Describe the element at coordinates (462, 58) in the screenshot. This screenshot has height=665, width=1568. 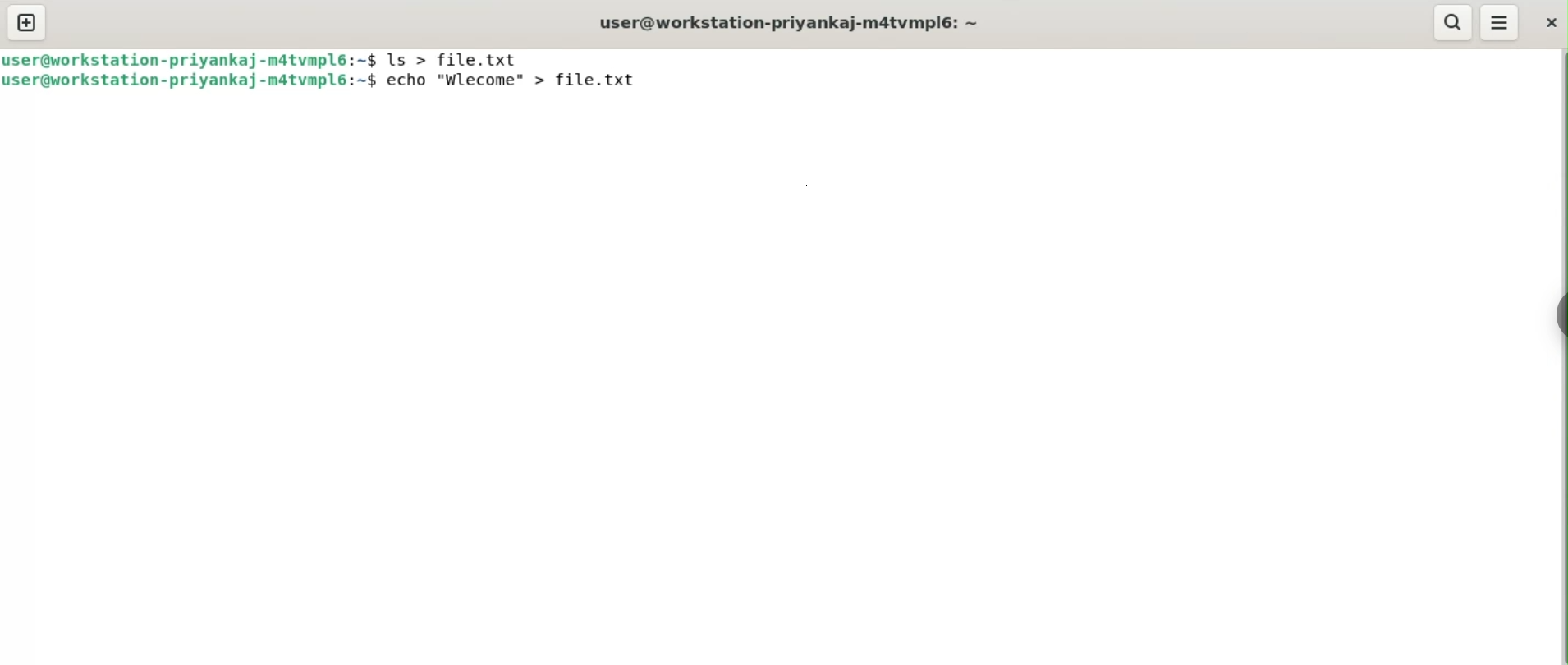
I see `ls > file.txt` at that location.